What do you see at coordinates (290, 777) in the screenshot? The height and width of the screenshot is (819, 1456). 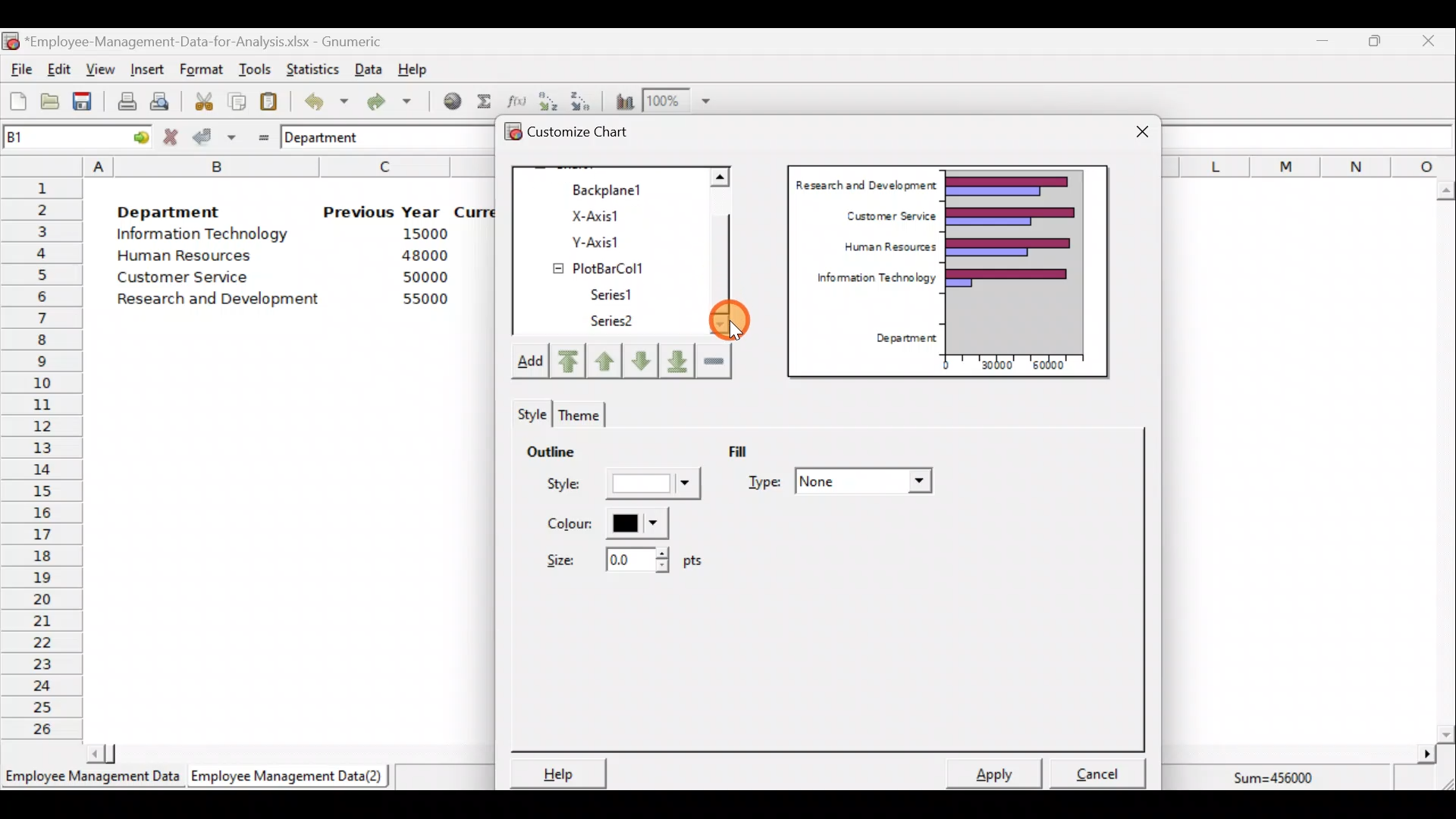 I see `Employee Management Data (2)` at bounding box center [290, 777].